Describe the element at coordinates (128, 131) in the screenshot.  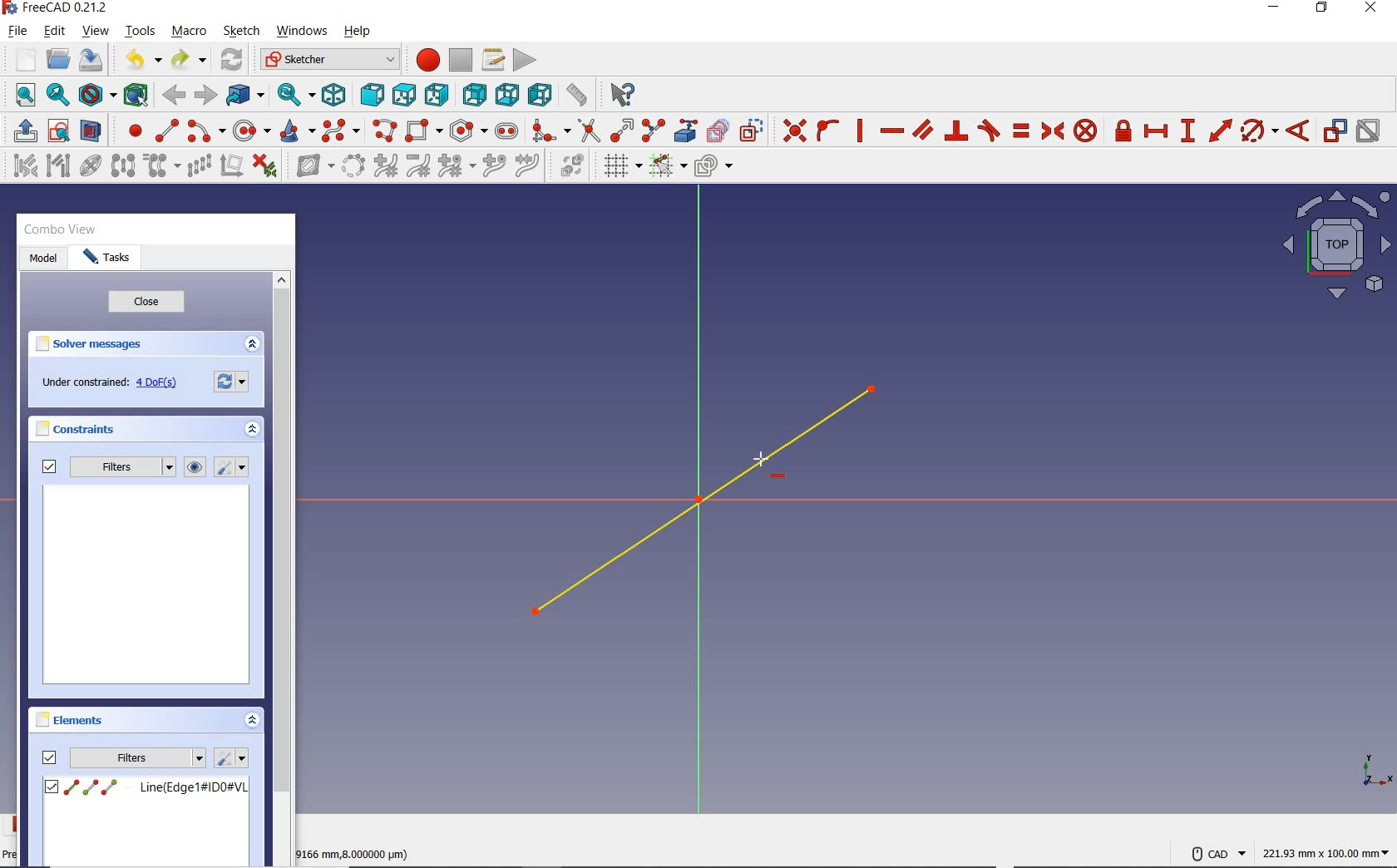
I see `CREATE POINT` at that location.